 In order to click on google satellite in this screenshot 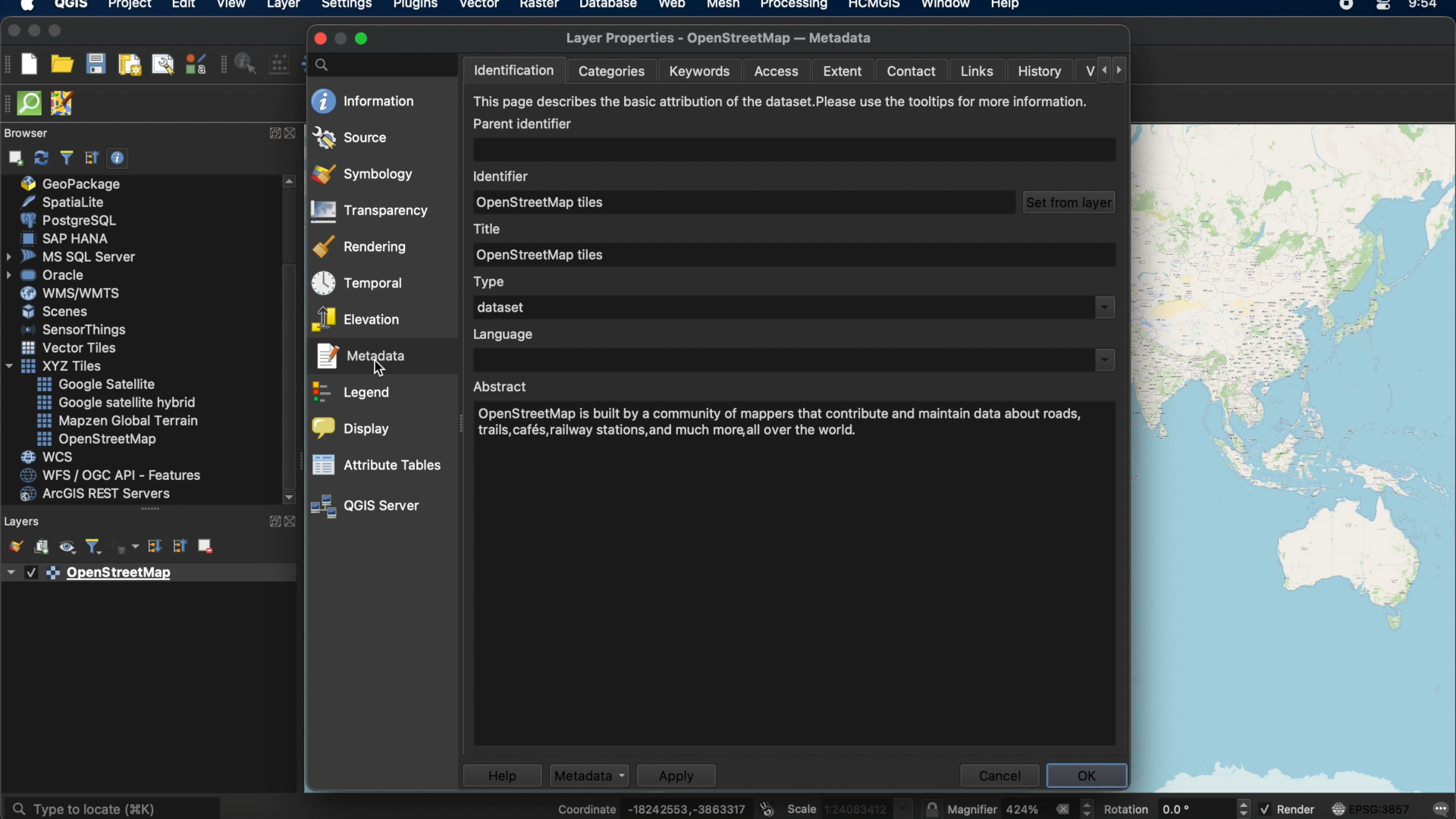, I will do `click(102, 384)`.